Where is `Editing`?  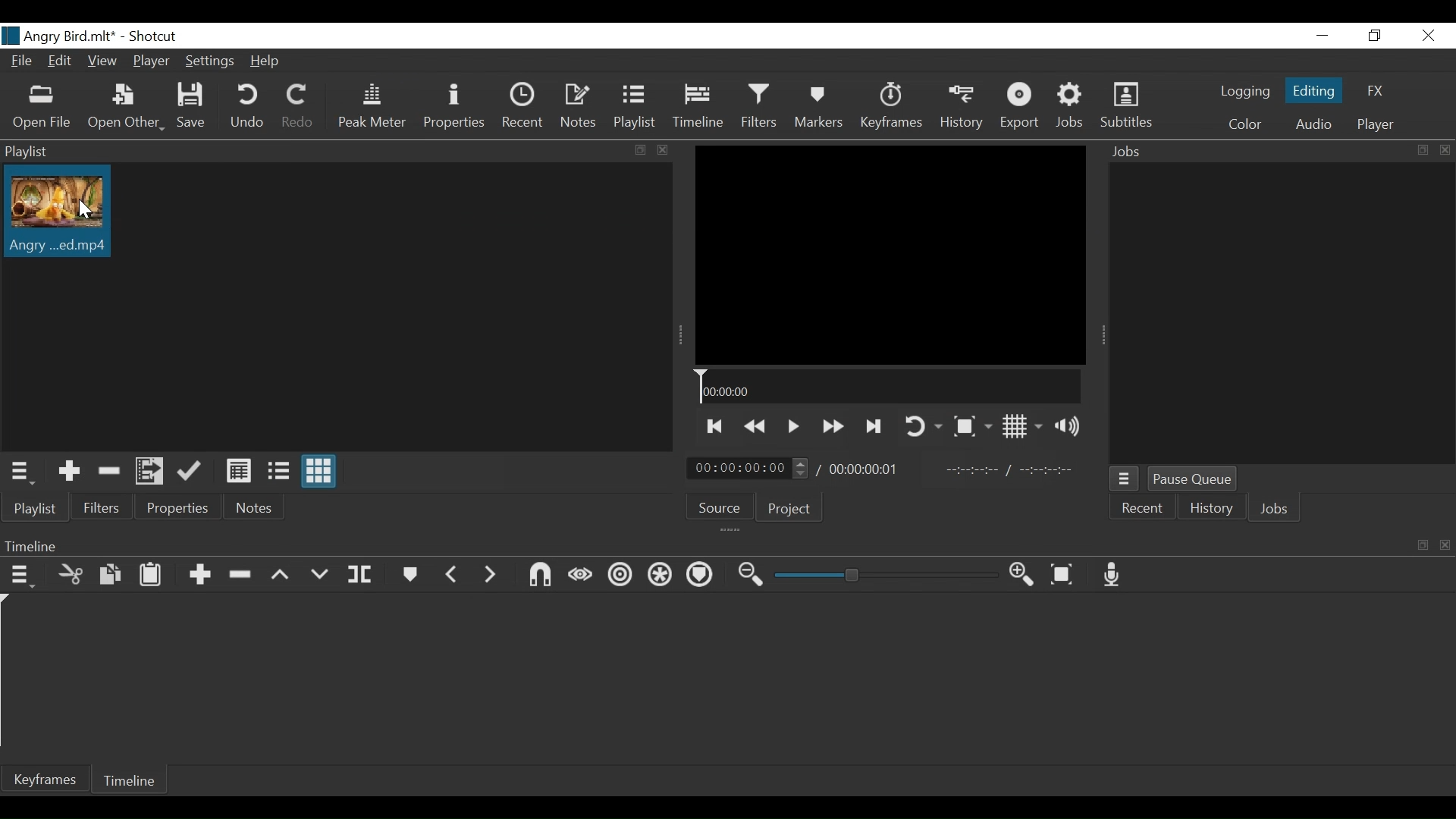
Editing is located at coordinates (1313, 89).